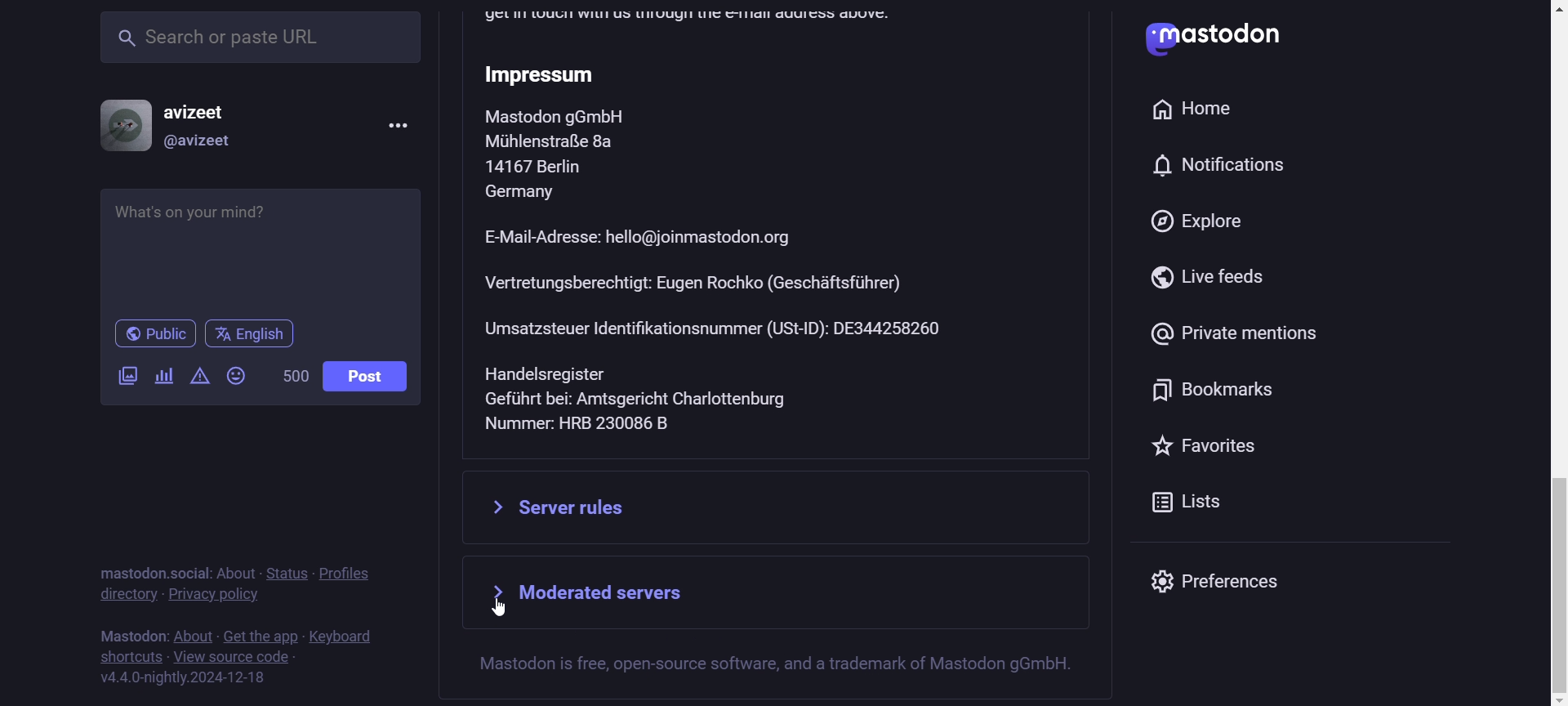  What do you see at coordinates (292, 378) in the screenshot?
I see `word limit` at bounding box center [292, 378].